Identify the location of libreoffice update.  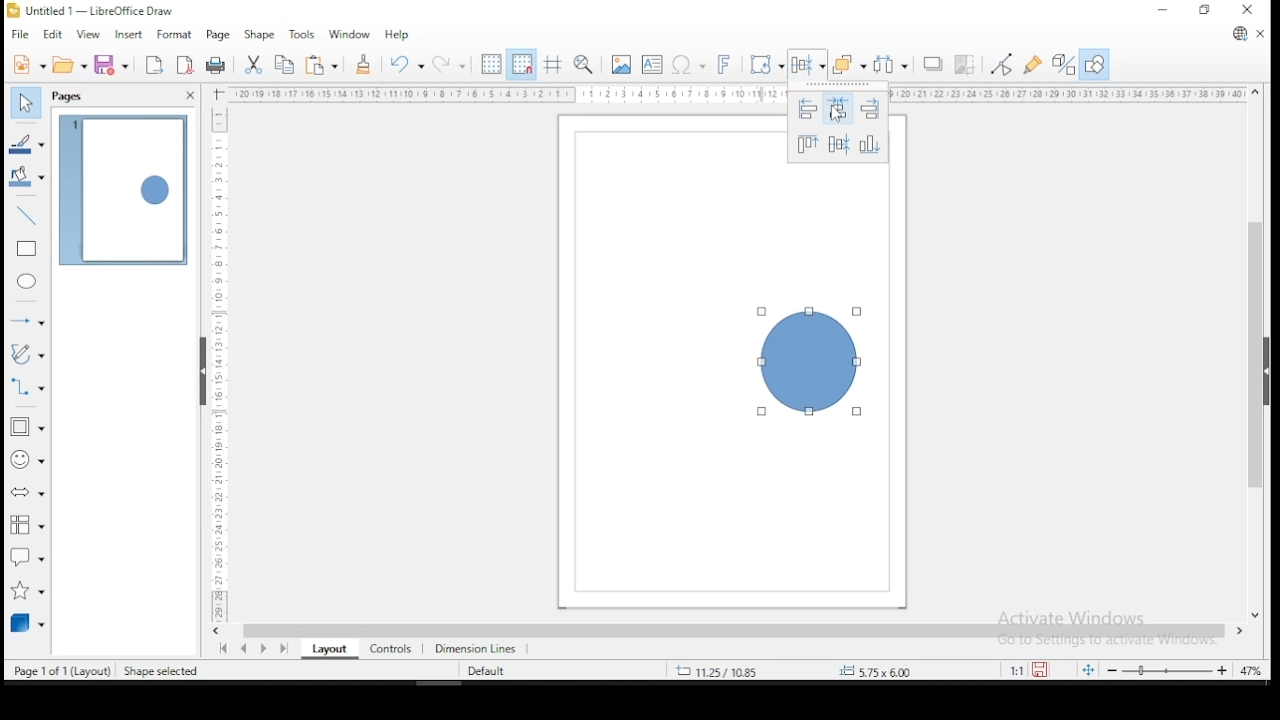
(1239, 35).